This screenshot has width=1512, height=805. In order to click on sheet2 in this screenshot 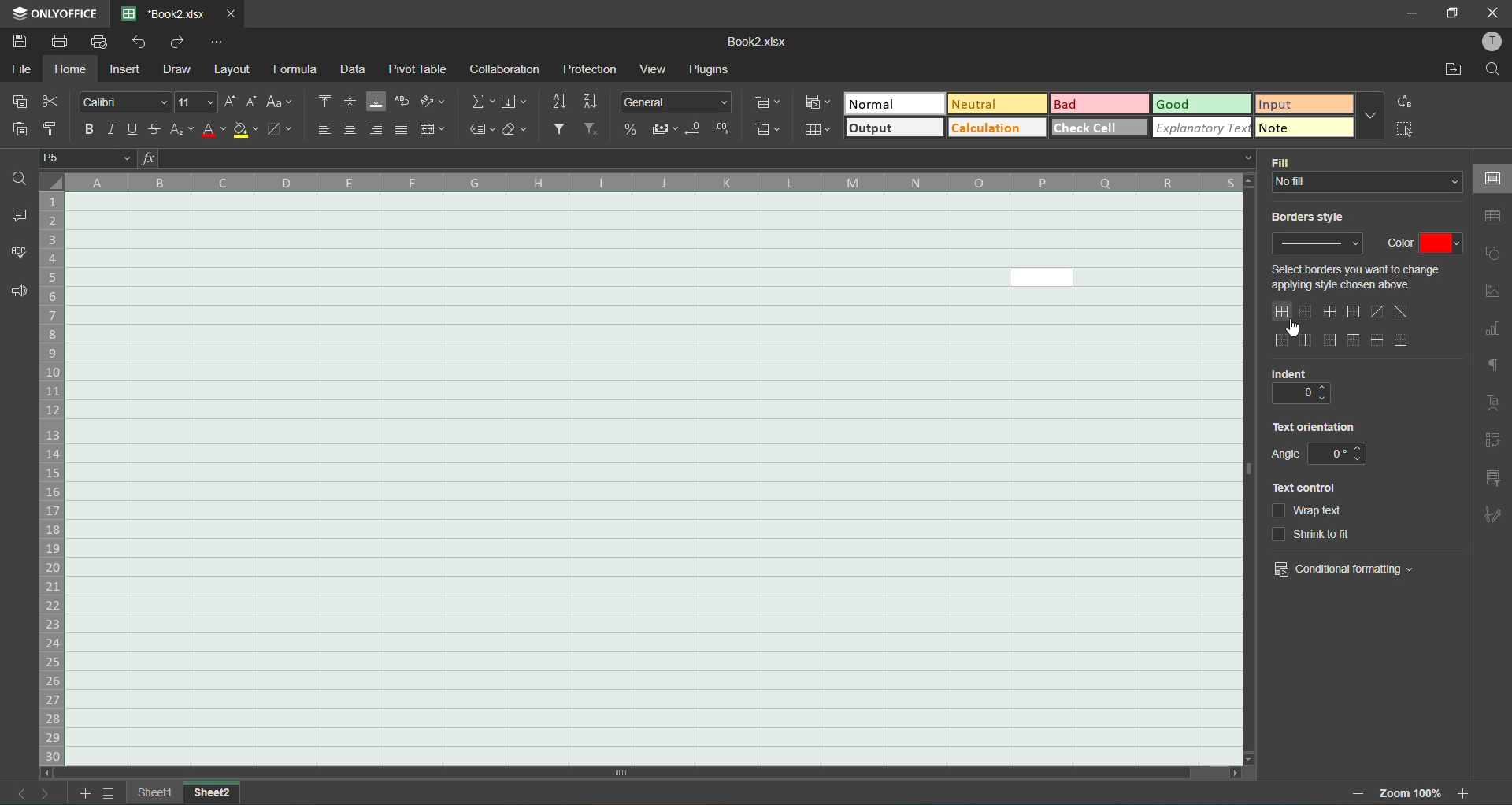, I will do `click(211, 792)`.